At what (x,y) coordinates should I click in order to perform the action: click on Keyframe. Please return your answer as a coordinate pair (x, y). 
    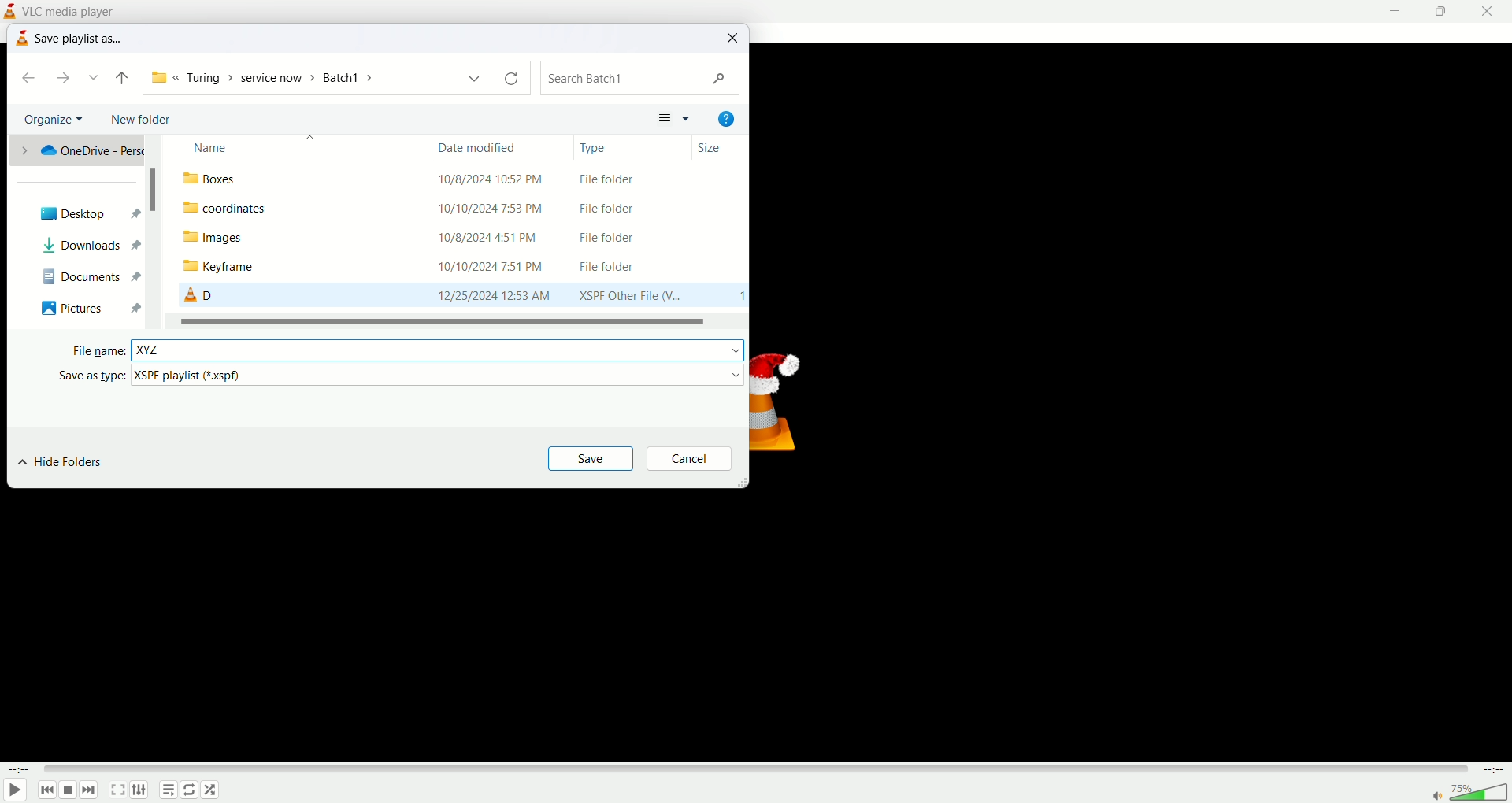
    Looking at the image, I should click on (235, 267).